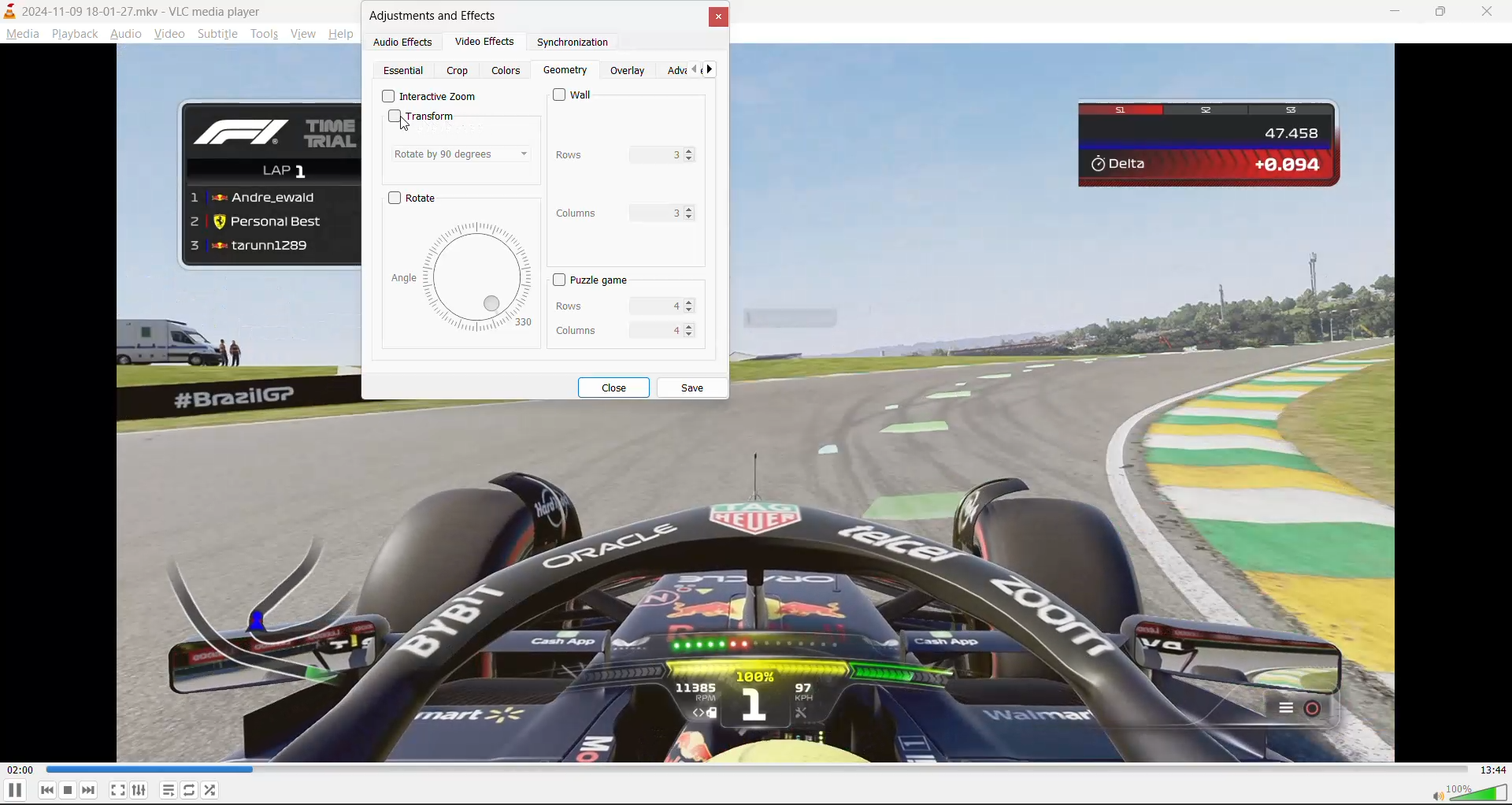 This screenshot has width=1512, height=805. What do you see at coordinates (187, 792) in the screenshot?
I see `loop` at bounding box center [187, 792].